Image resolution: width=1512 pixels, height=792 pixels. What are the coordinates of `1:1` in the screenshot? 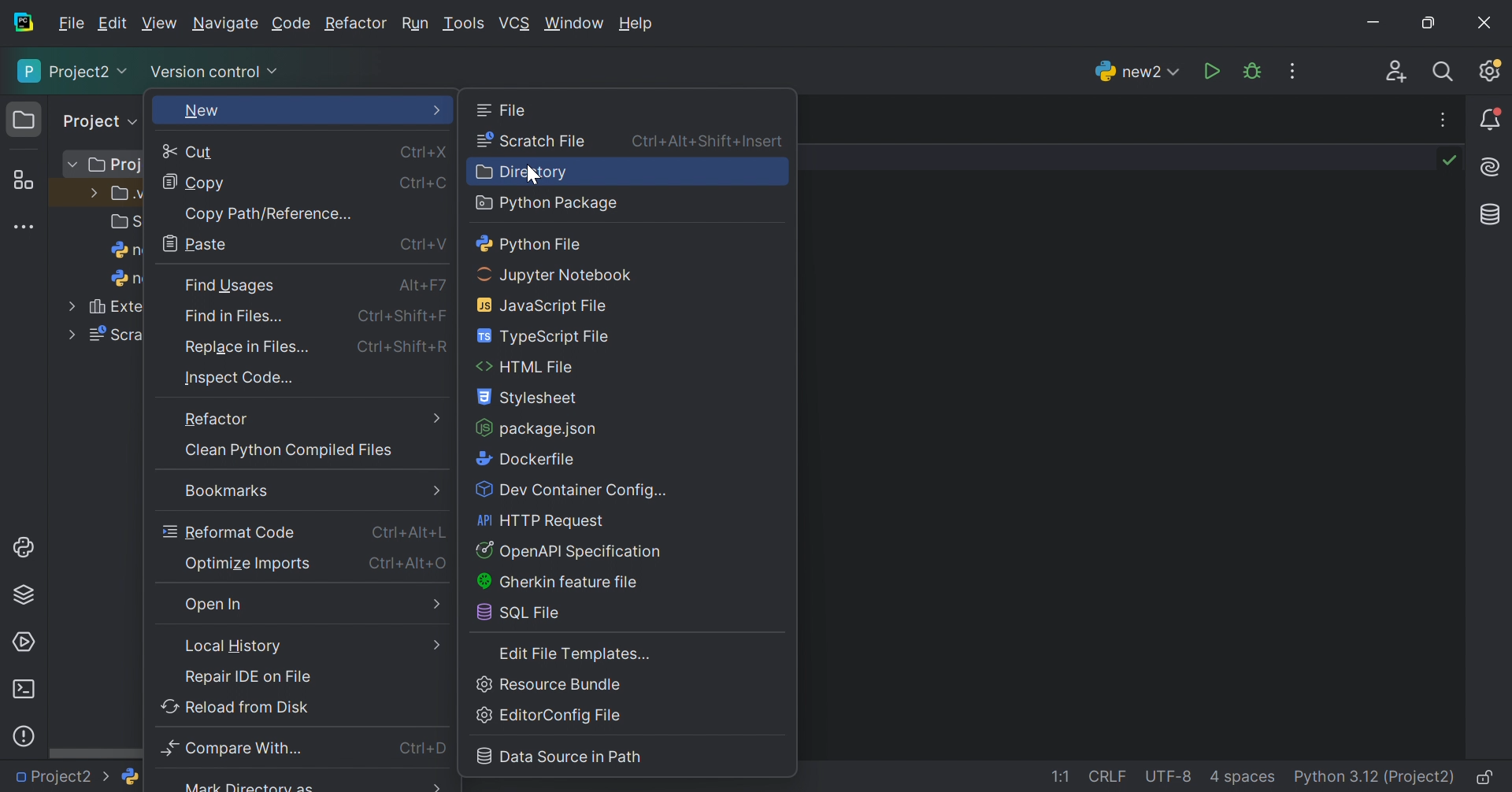 It's located at (1061, 778).